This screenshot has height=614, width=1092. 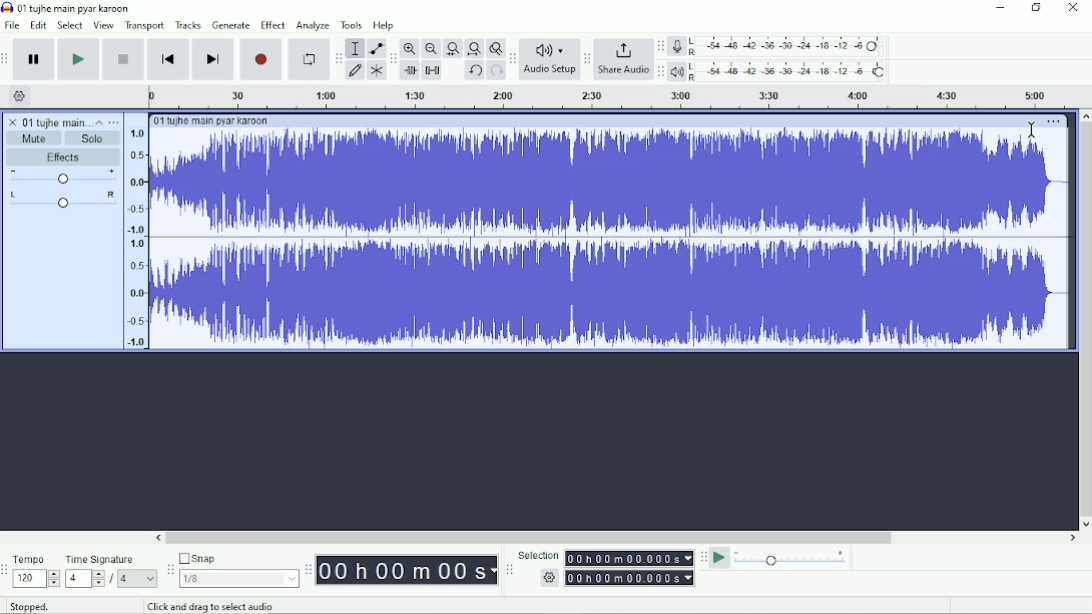 What do you see at coordinates (1031, 129) in the screenshot?
I see `Cursor` at bounding box center [1031, 129].